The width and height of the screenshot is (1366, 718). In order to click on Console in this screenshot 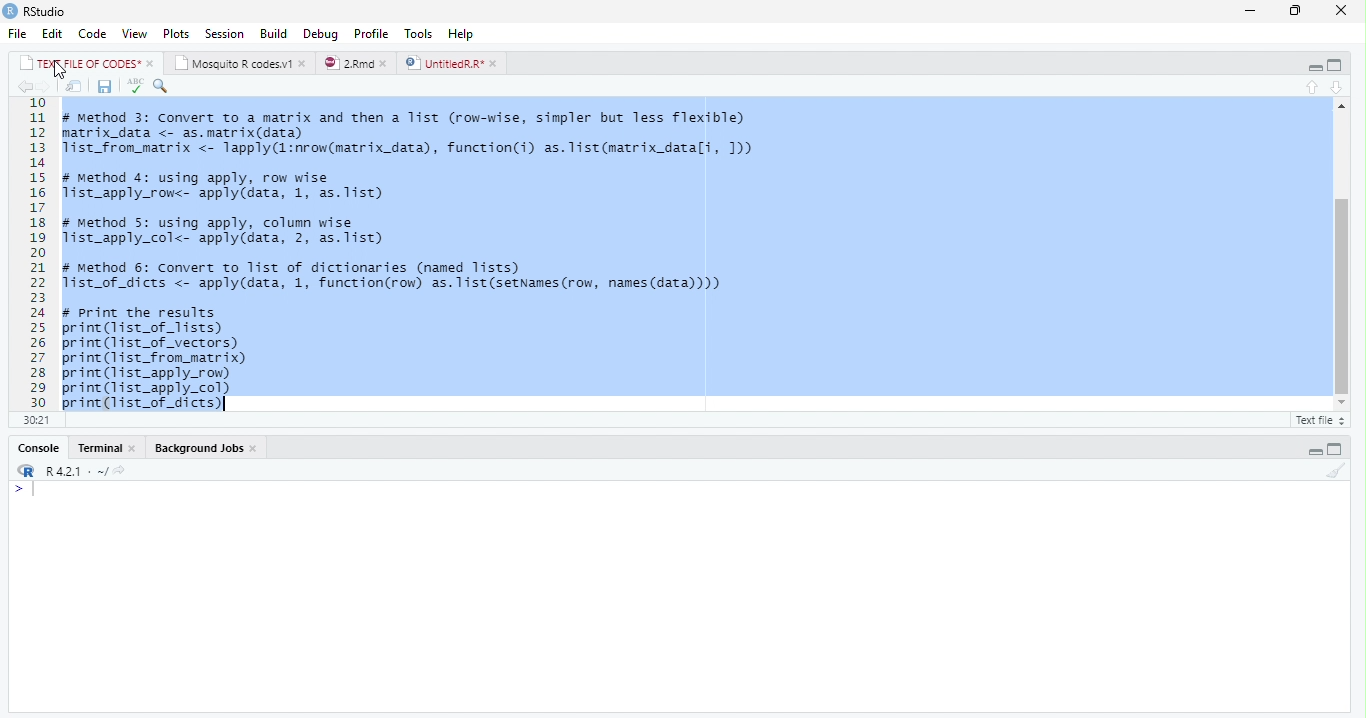, I will do `click(104, 448)`.